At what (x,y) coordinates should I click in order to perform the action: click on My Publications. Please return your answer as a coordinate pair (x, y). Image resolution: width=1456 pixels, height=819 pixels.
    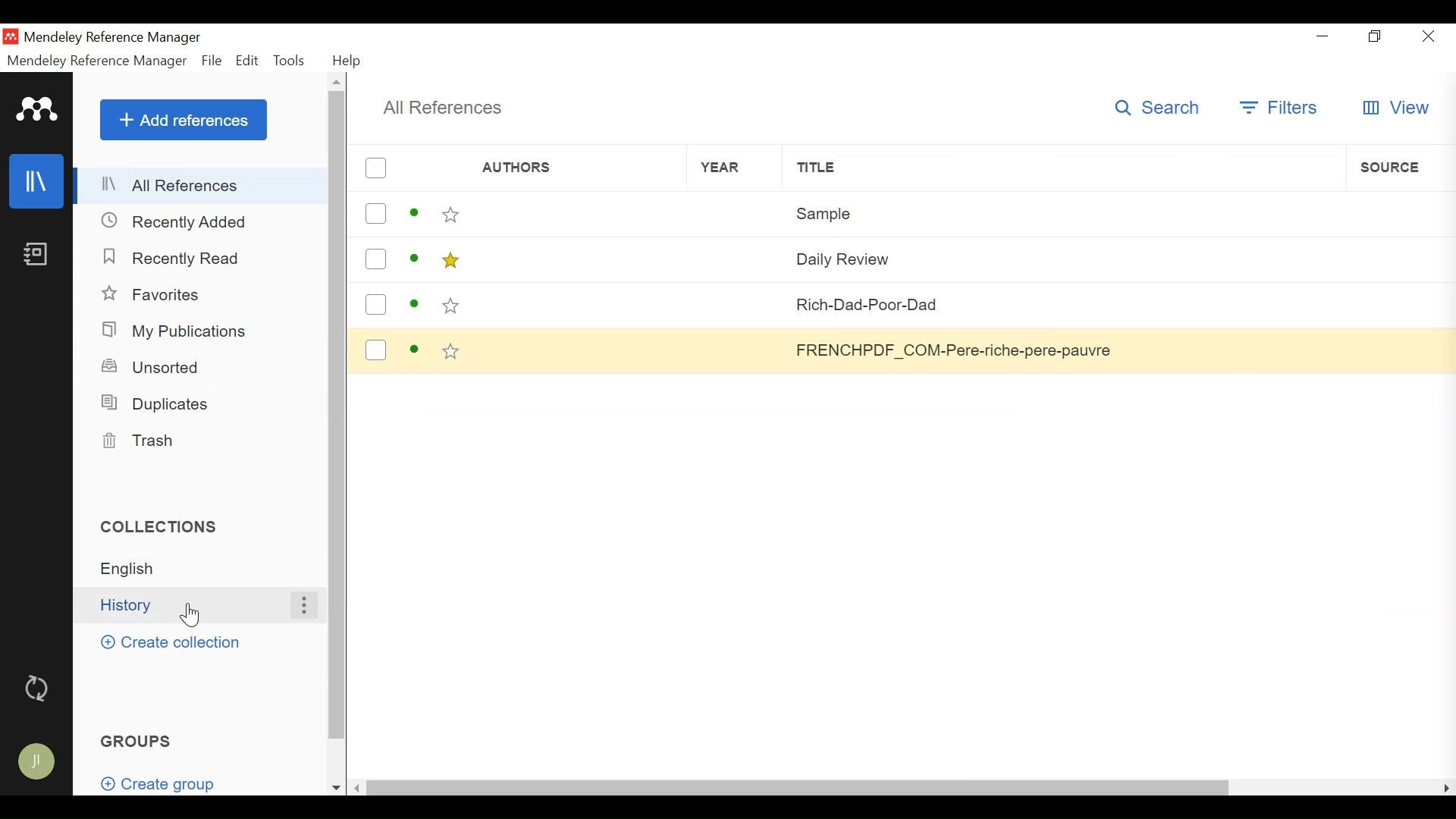
    Looking at the image, I should click on (178, 331).